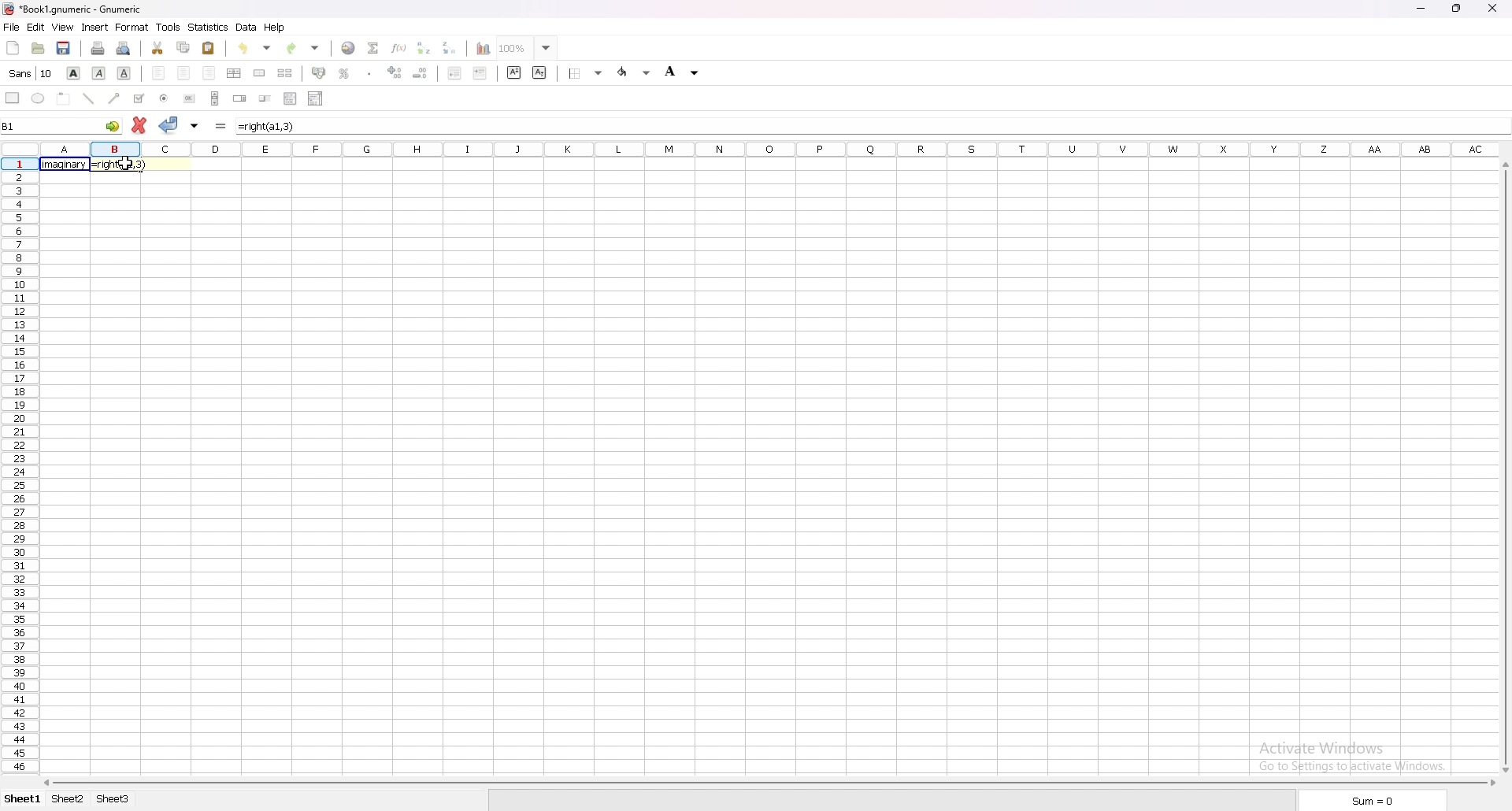 The height and width of the screenshot is (811, 1512). What do you see at coordinates (35, 27) in the screenshot?
I see `edit` at bounding box center [35, 27].